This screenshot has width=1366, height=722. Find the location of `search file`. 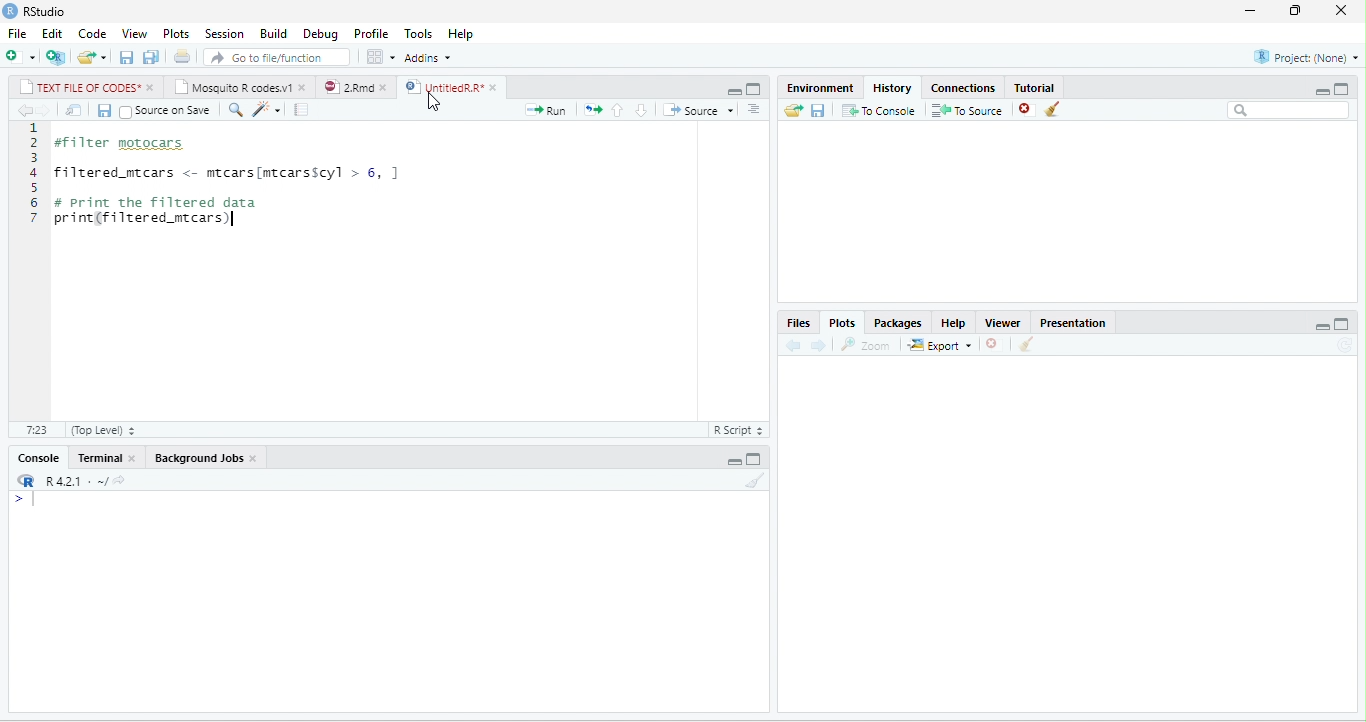

search file is located at coordinates (276, 58).